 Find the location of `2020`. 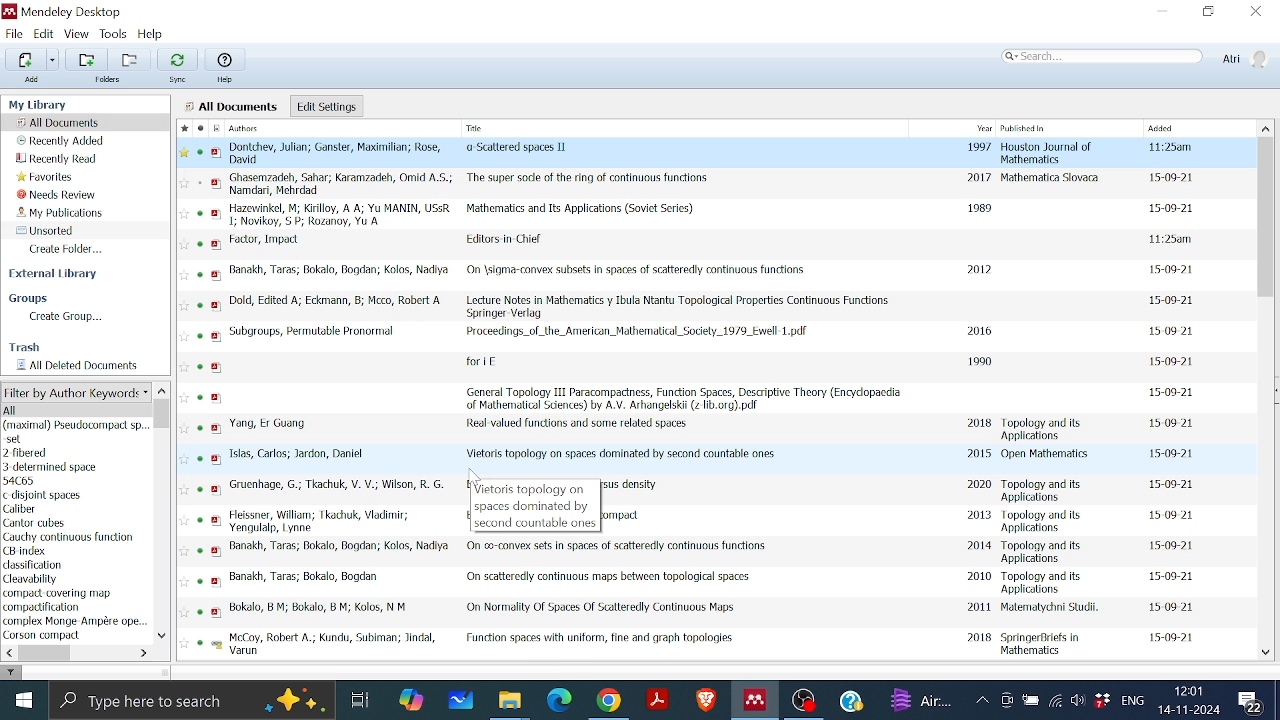

2020 is located at coordinates (979, 486).